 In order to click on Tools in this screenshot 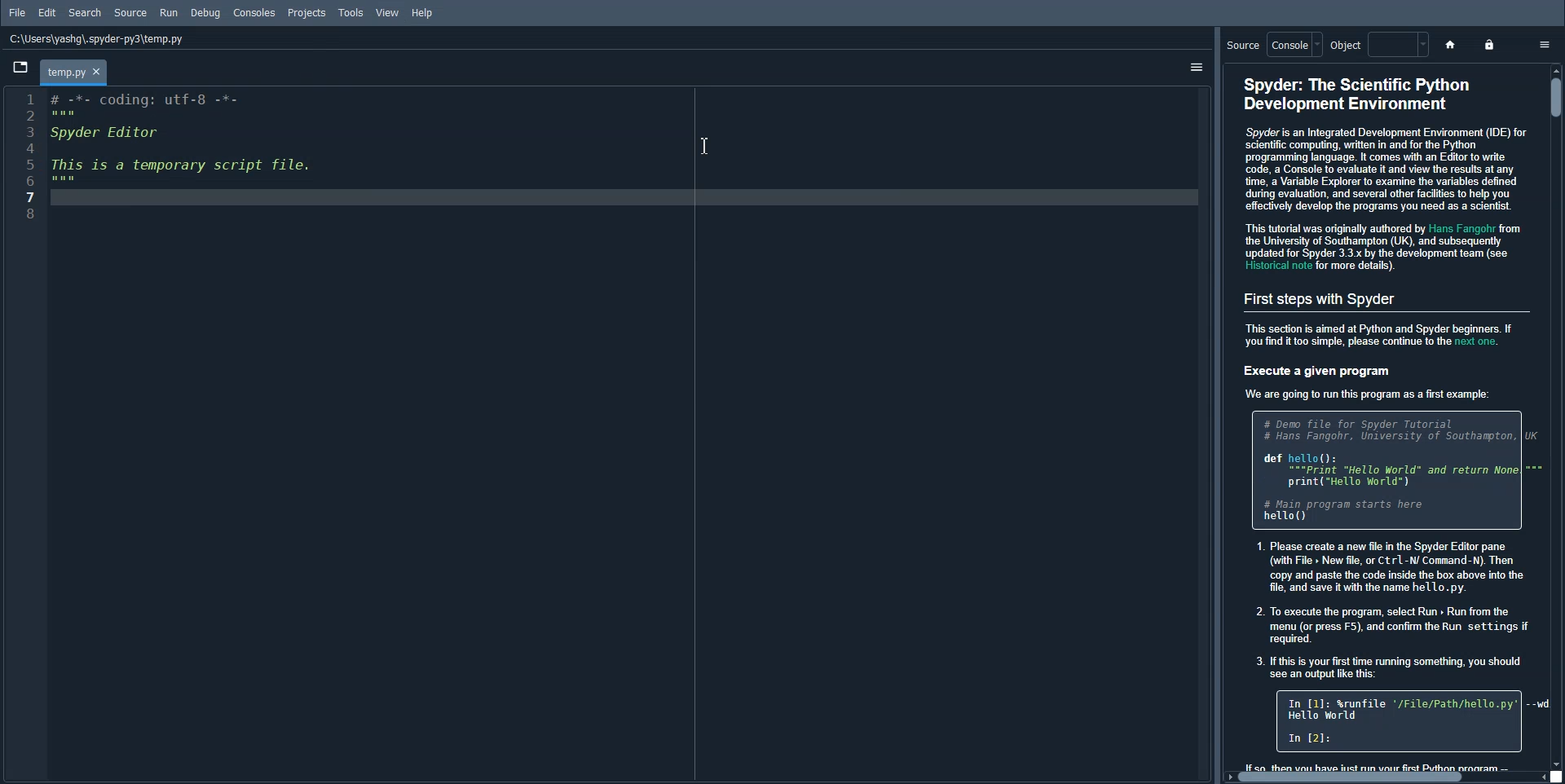, I will do `click(351, 12)`.